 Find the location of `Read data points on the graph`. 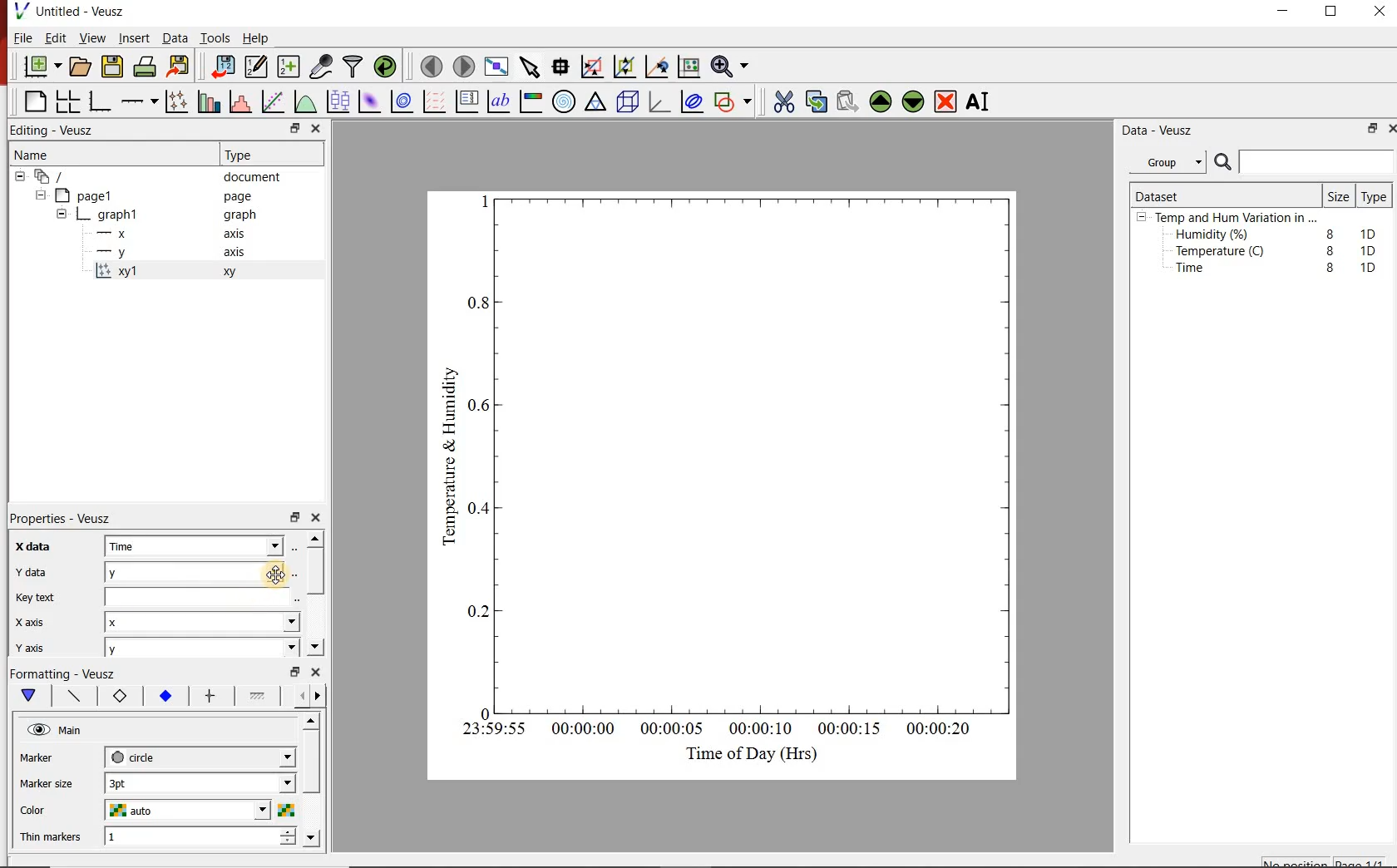

Read data points on the graph is located at coordinates (562, 67).